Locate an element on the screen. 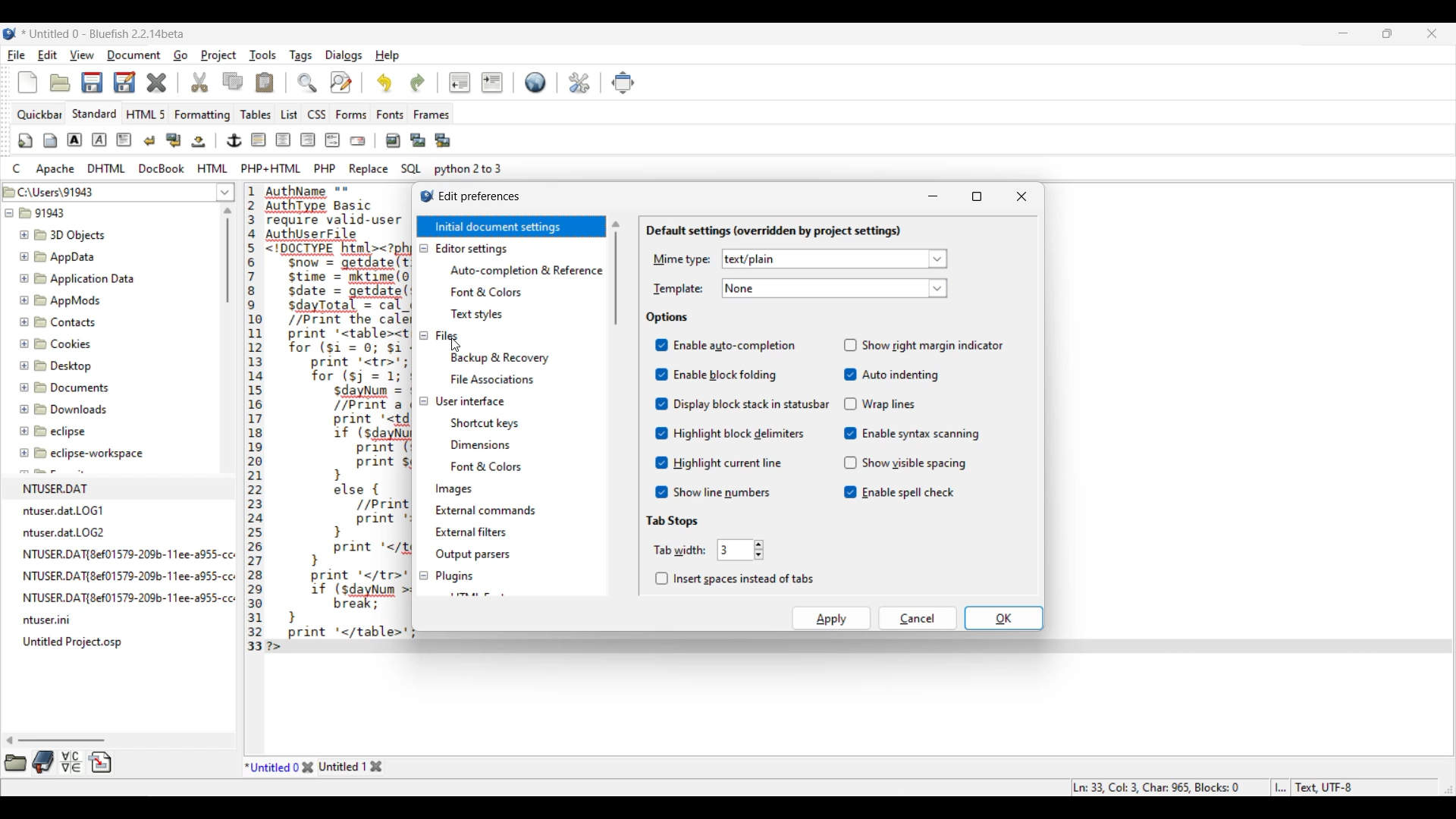 The image size is (1456, 819). More tool options is located at coordinates (58, 761).